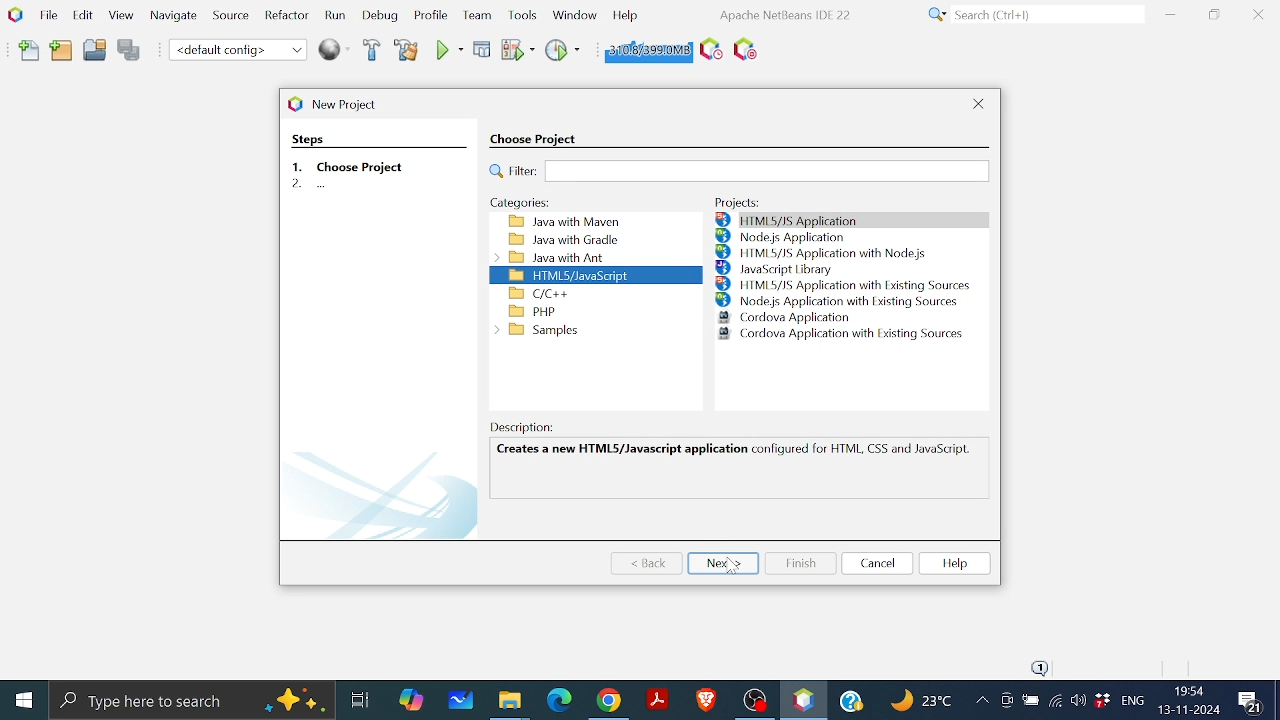 The width and height of the screenshot is (1280, 720). Describe the element at coordinates (778, 267) in the screenshot. I see `JavaScript library` at that location.